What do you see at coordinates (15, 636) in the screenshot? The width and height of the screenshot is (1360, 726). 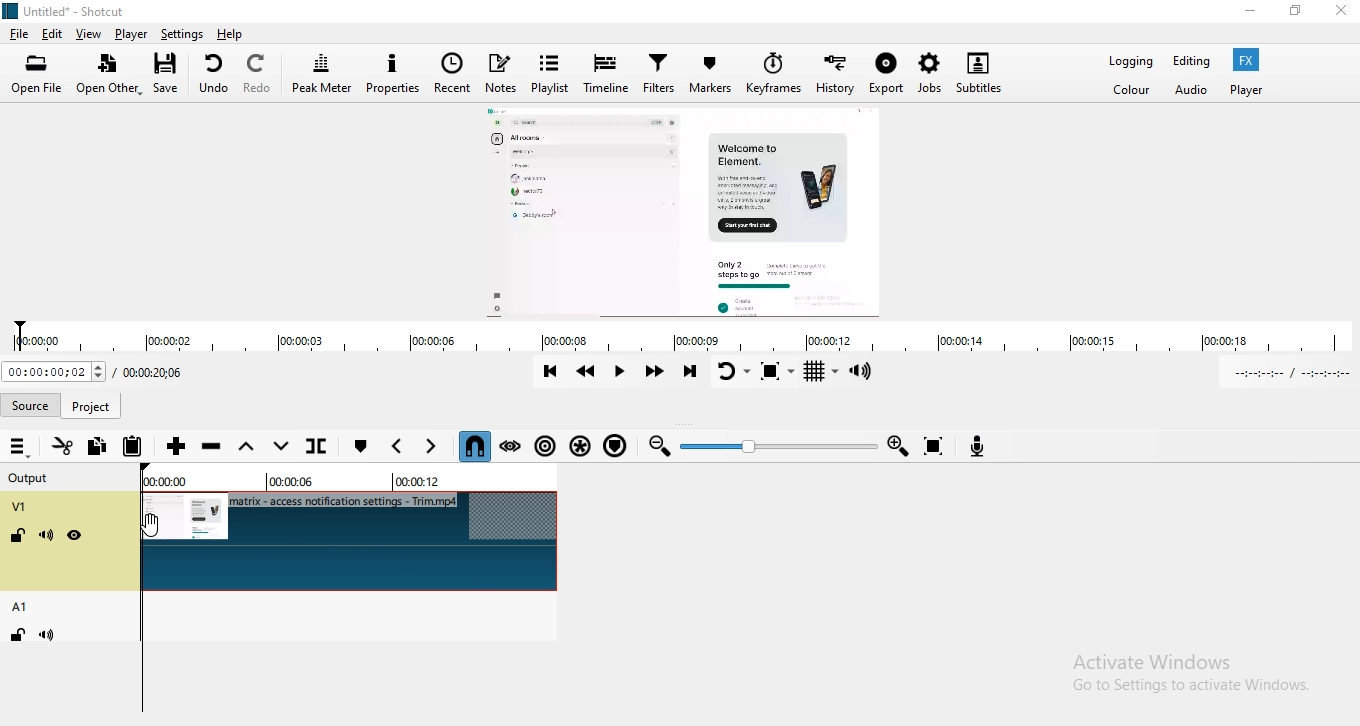 I see `Lock` at bounding box center [15, 636].